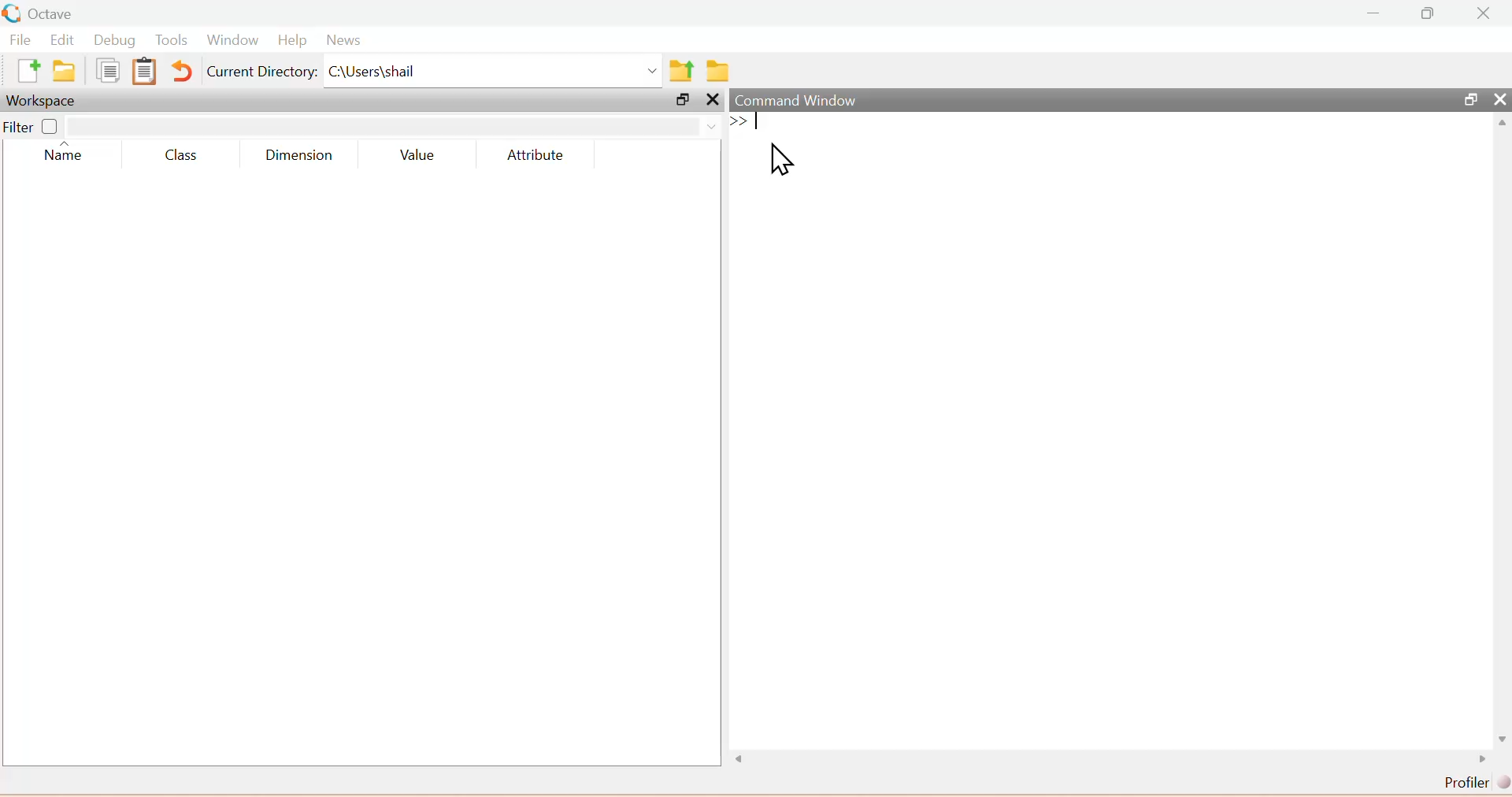 Image resolution: width=1512 pixels, height=797 pixels. I want to click on Profiler, so click(1473, 783).